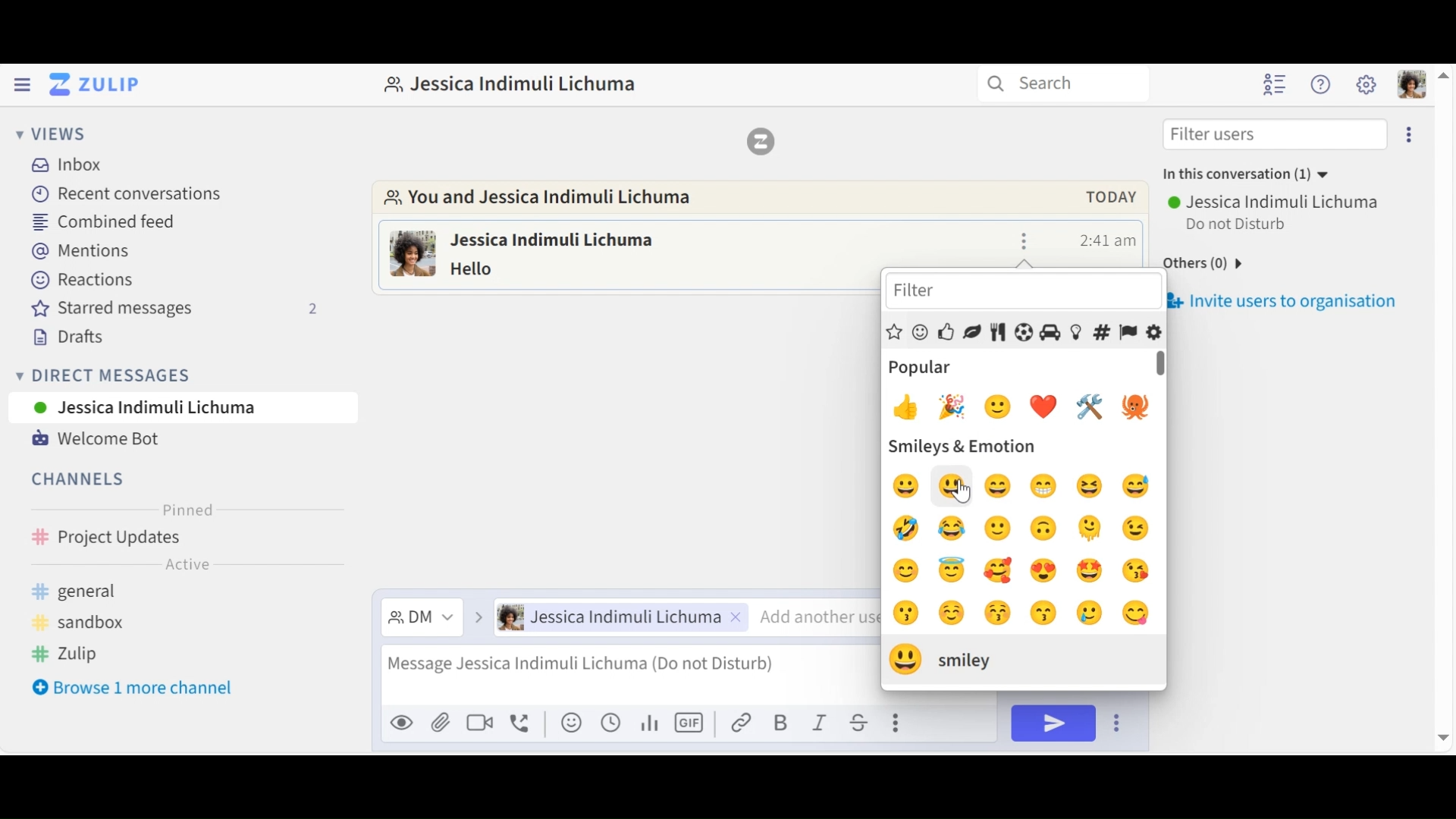 This screenshot has height=819, width=1456. Describe the element at coordinates (1023, 332) in the screenshot. I see `Activities` at that location.